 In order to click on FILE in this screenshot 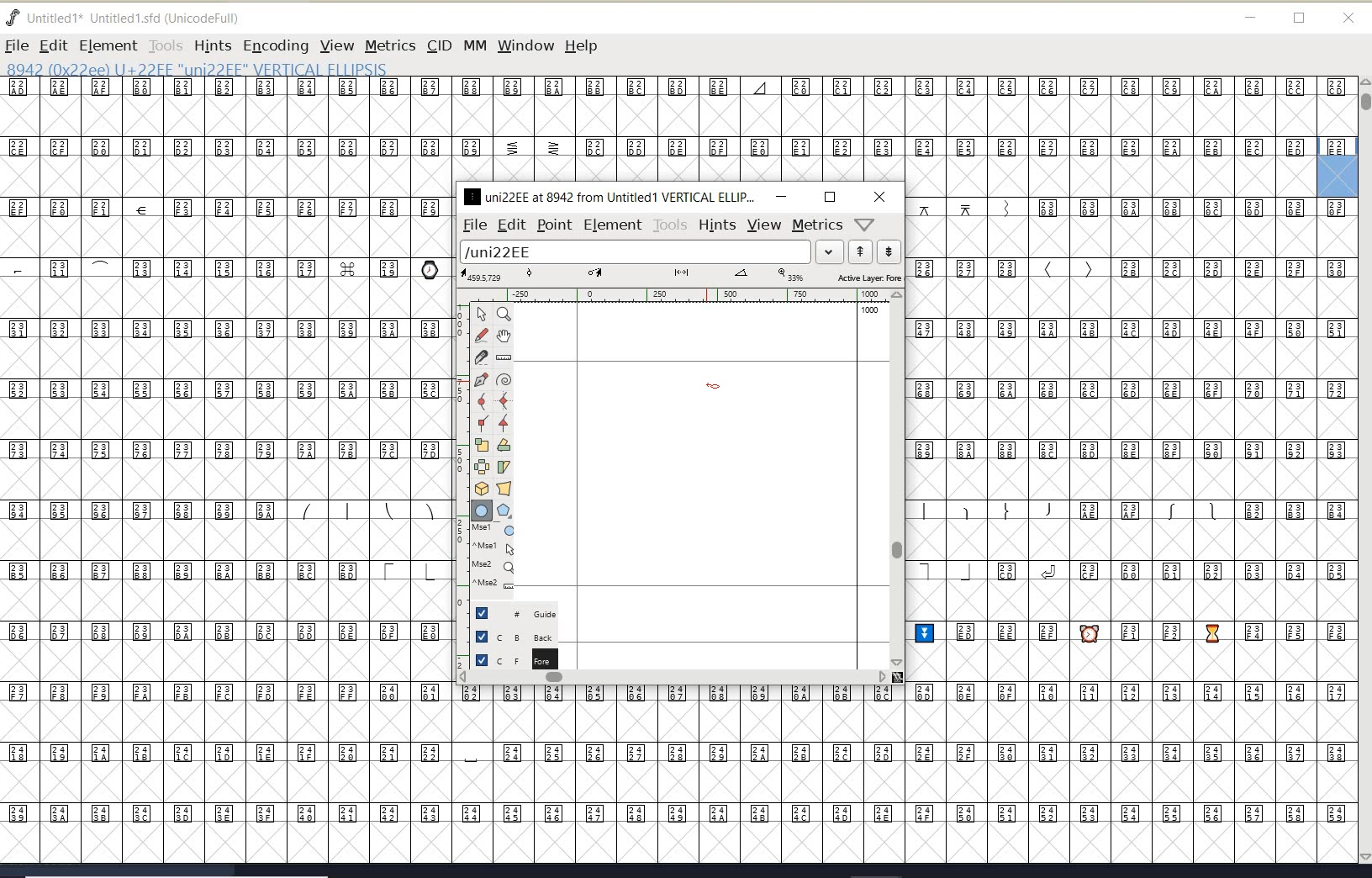, I will do `click(16, 45)`.